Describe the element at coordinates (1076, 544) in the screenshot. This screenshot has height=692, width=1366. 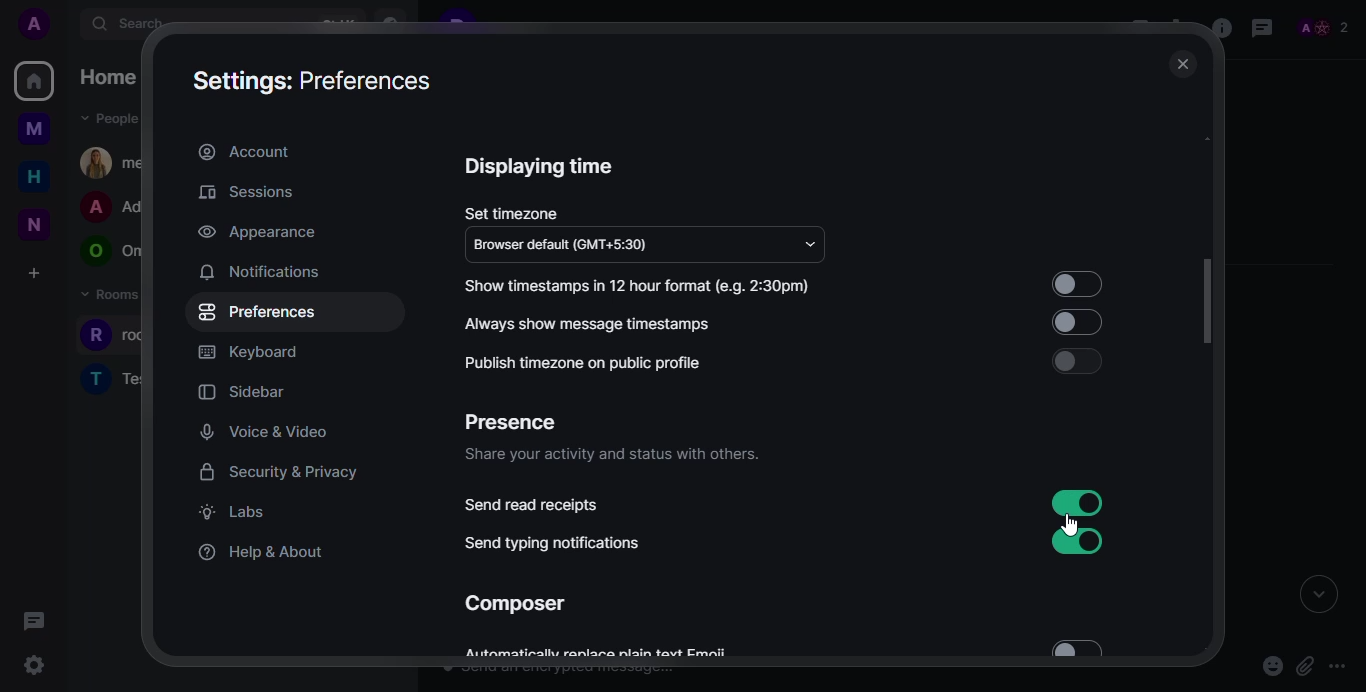
I see `enabled` at that location.